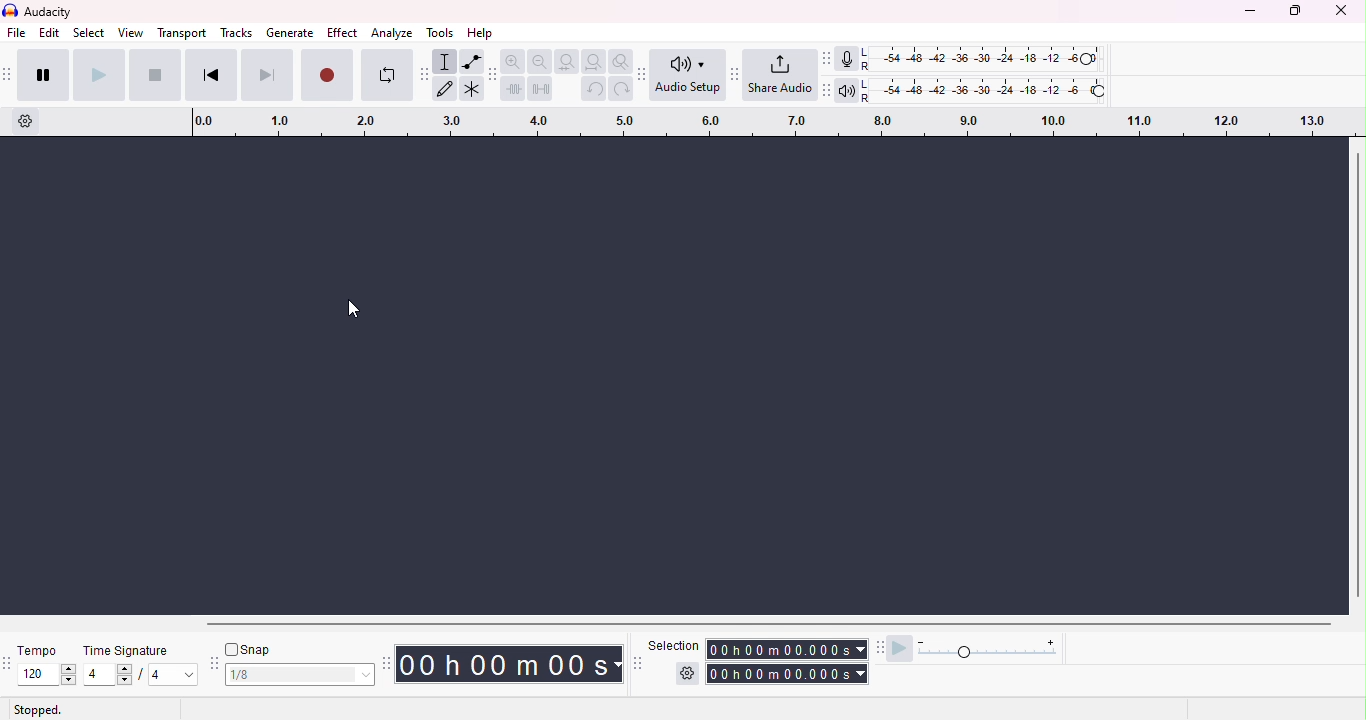 The image size is (1366, 720). I want to click on title, so click(43, 12).